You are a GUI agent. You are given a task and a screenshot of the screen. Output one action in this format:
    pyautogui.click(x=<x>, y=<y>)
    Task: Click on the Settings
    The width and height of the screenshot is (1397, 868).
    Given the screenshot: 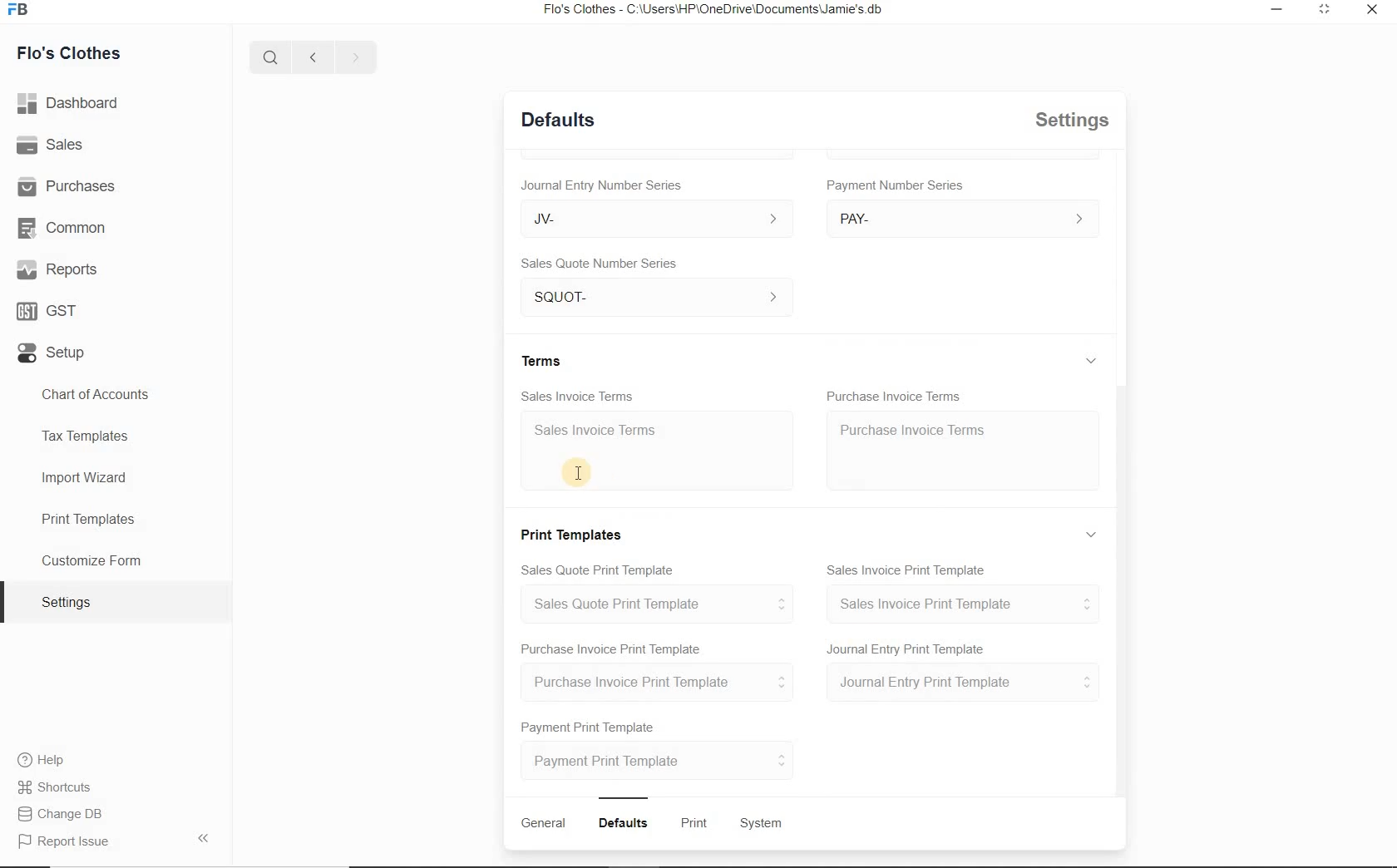 What is the action you would take?
    pyautogui.click(x=1070, y=120)
    